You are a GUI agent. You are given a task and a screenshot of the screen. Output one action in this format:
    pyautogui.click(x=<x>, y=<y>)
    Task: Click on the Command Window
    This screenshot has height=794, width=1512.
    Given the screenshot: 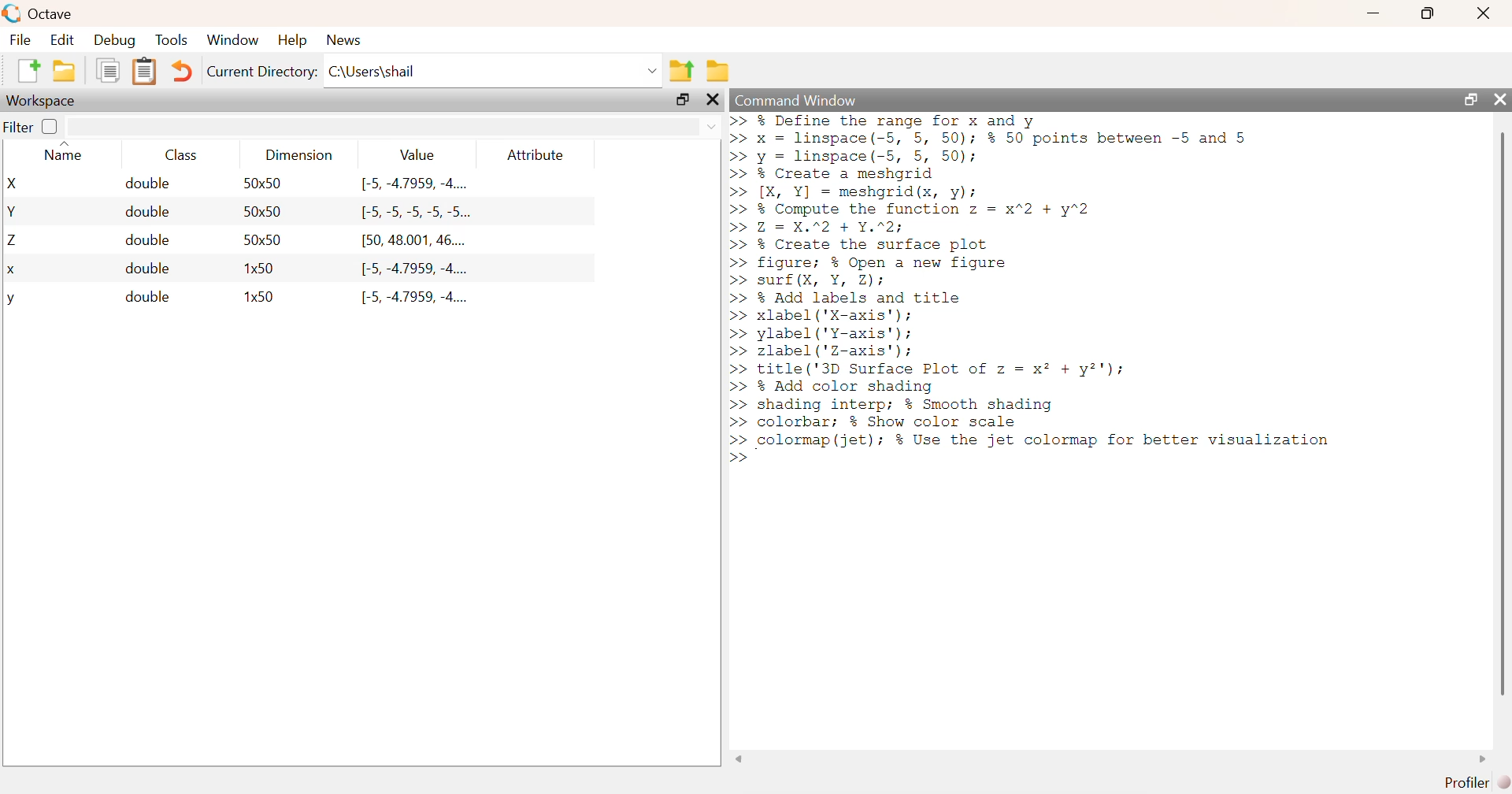 What is the action you would take?
    pyautogui.click(x=798, y=100)
    